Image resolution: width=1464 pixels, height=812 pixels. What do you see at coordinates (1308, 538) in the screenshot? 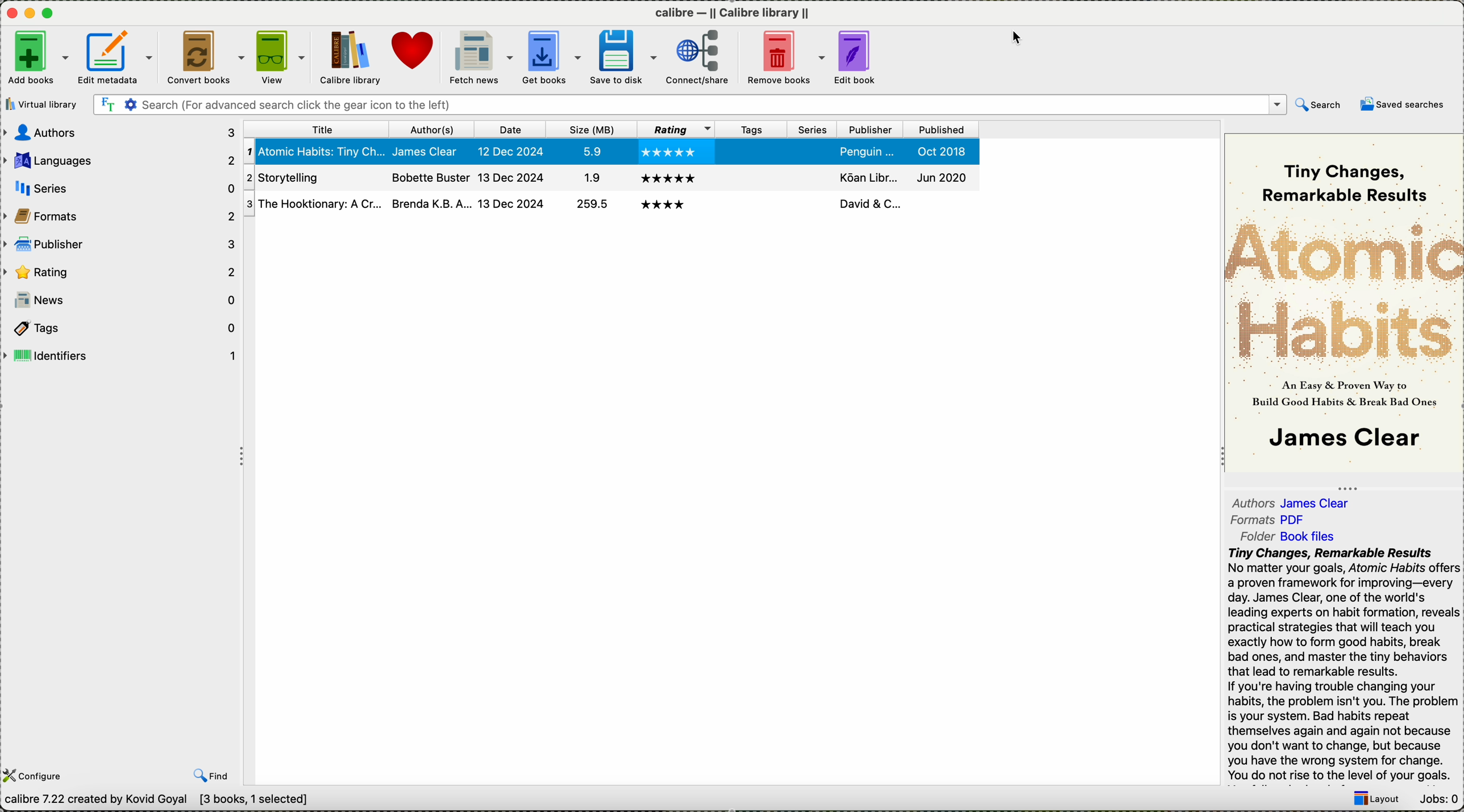
I see `Book file` at bounding box center [1308, 538].